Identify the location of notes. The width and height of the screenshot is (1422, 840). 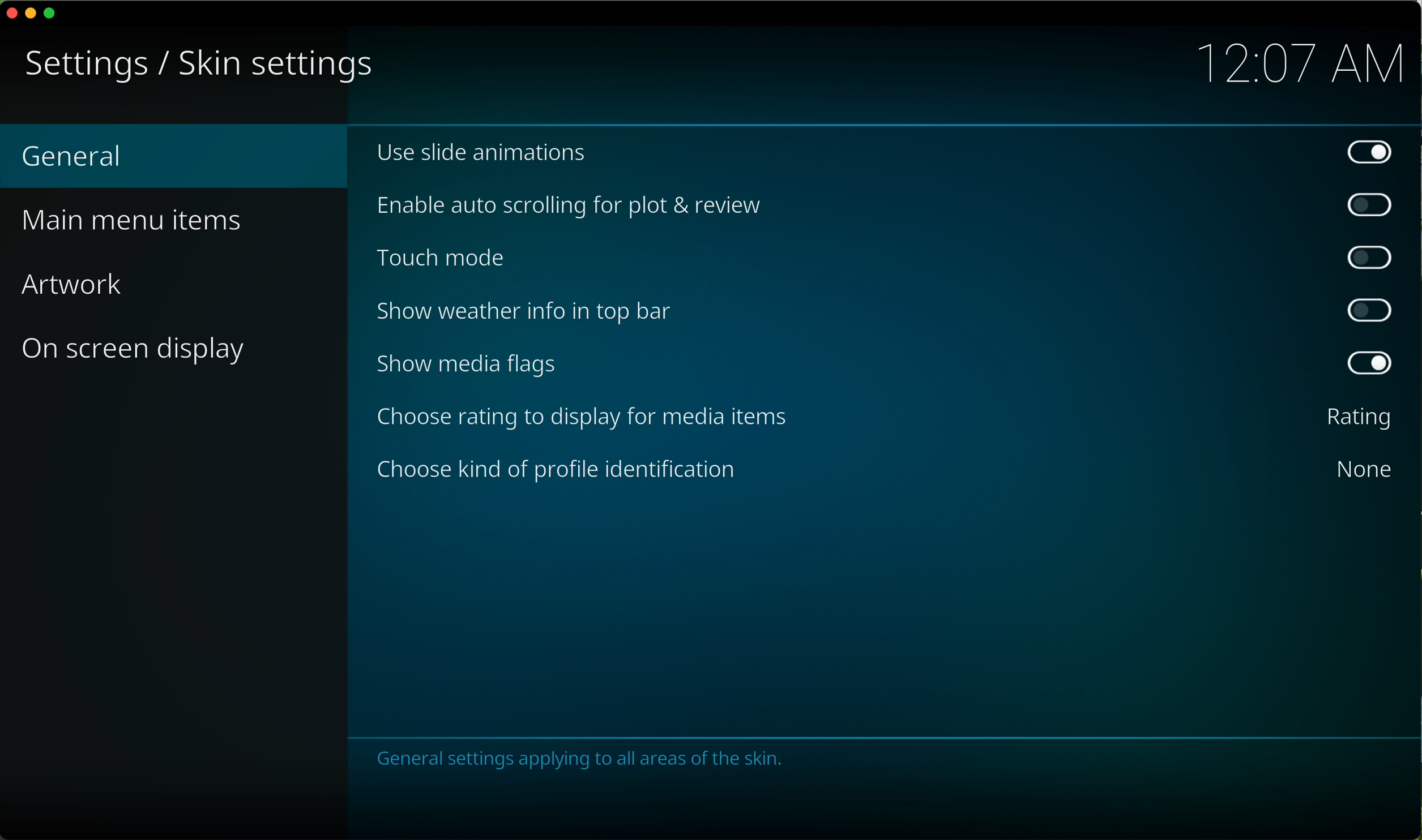
(581, 760).